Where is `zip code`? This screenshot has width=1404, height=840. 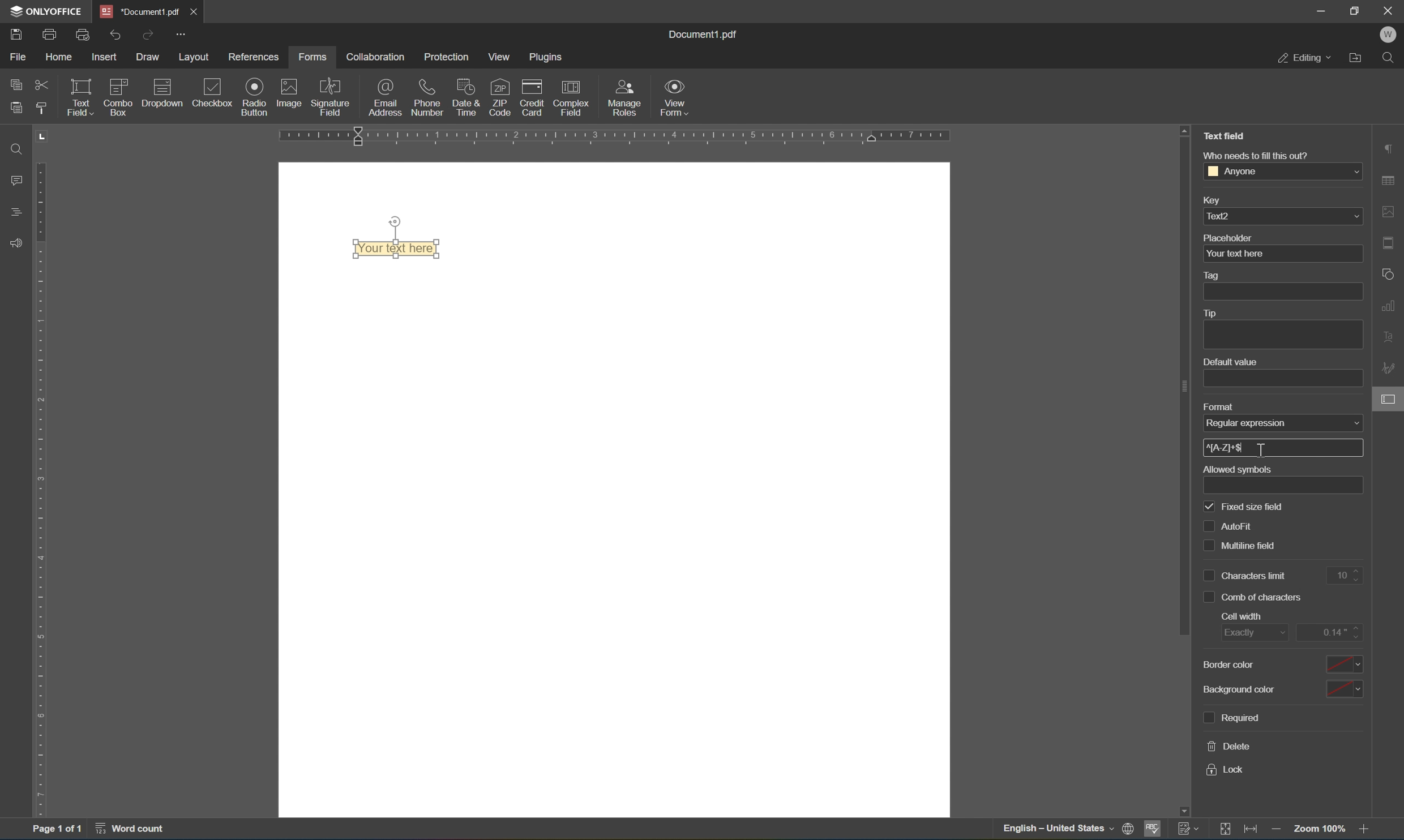 zip code is located at coordinates (499, 97).